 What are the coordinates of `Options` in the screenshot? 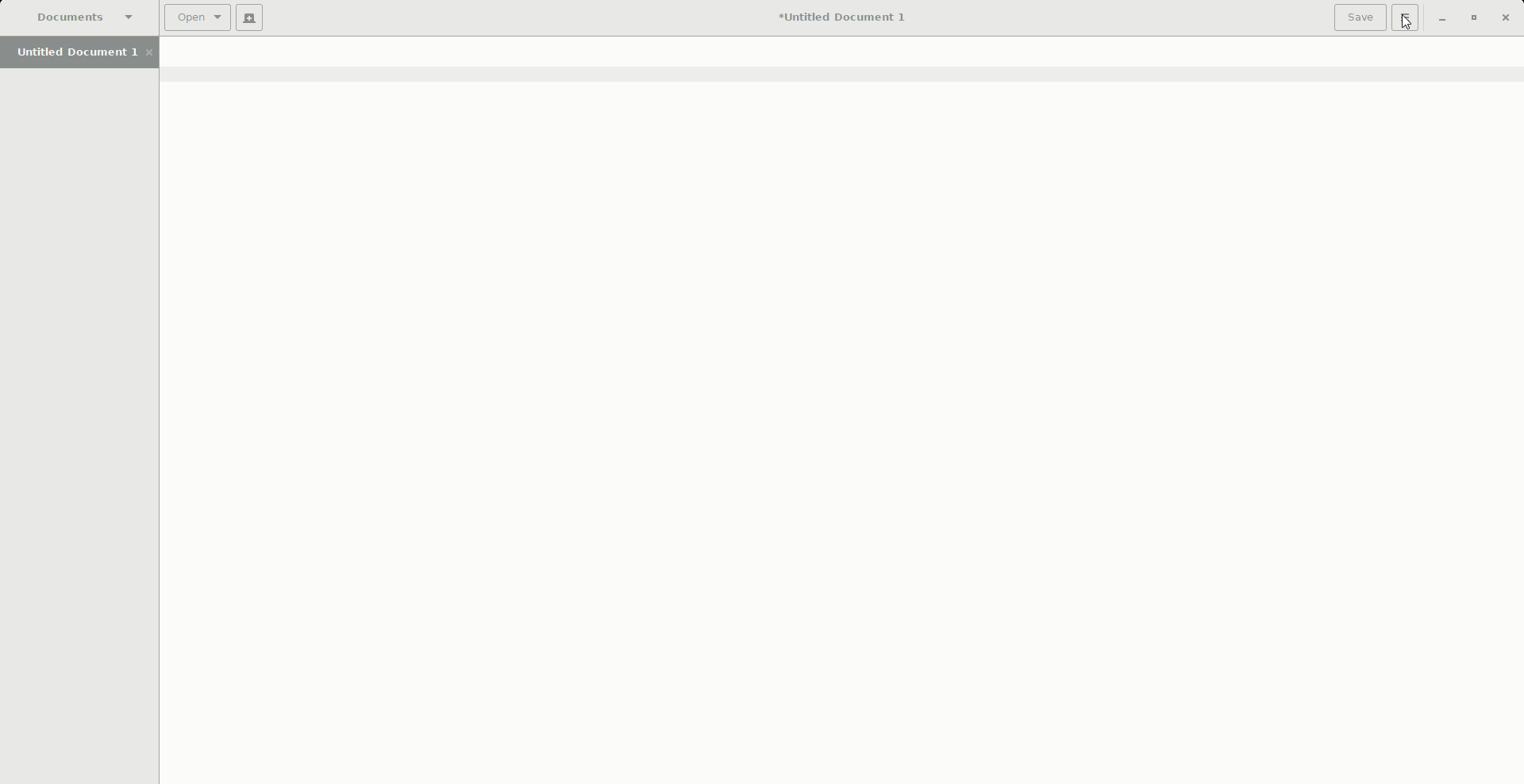 It's located at (1406, 18).